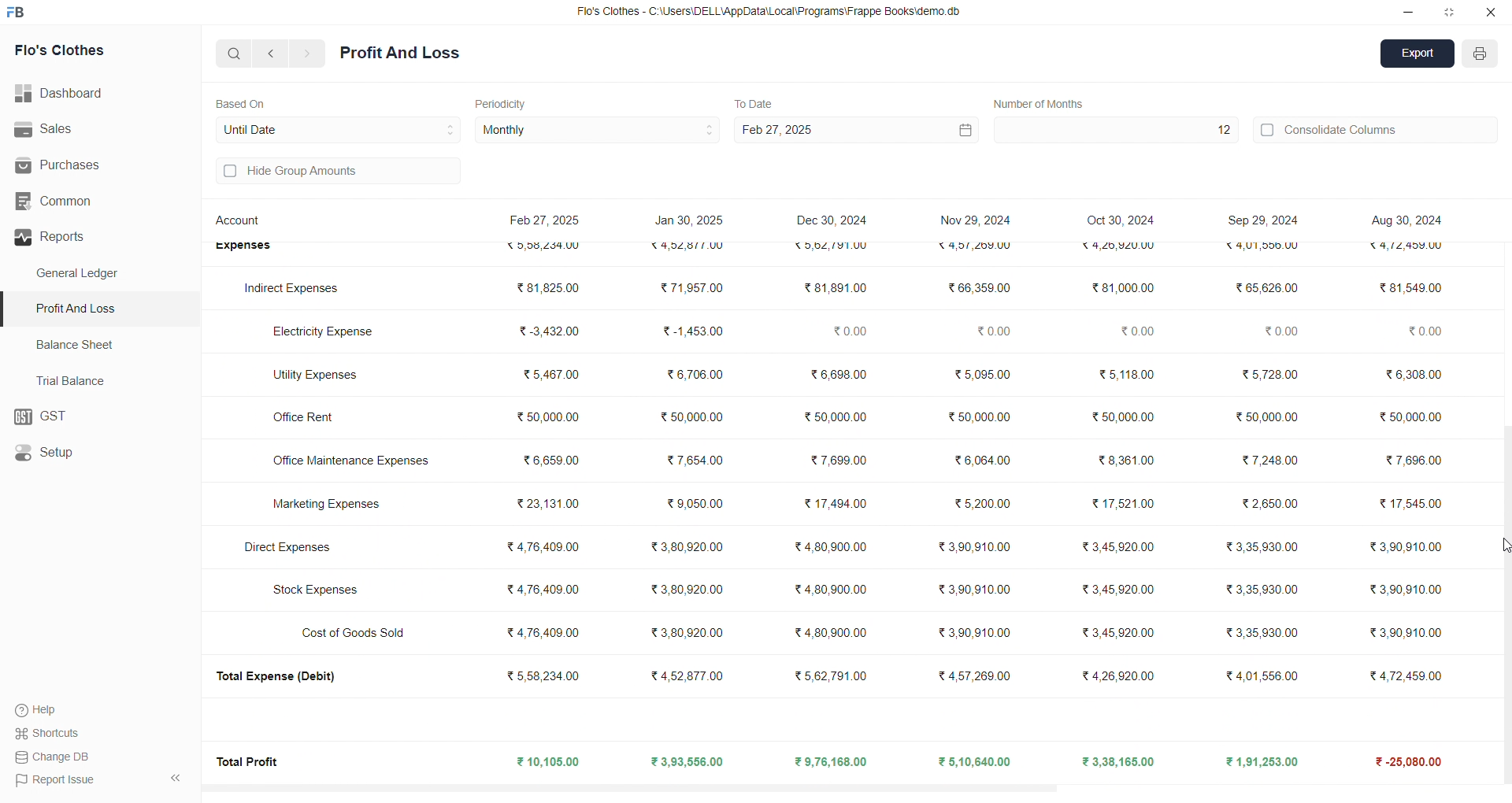 This screenshot has width=1512, height=803. What do you see at coordinates (1258, 220) in the screenshot?
I see `Sep 29, 2024` at bounding box center [1258, 220].